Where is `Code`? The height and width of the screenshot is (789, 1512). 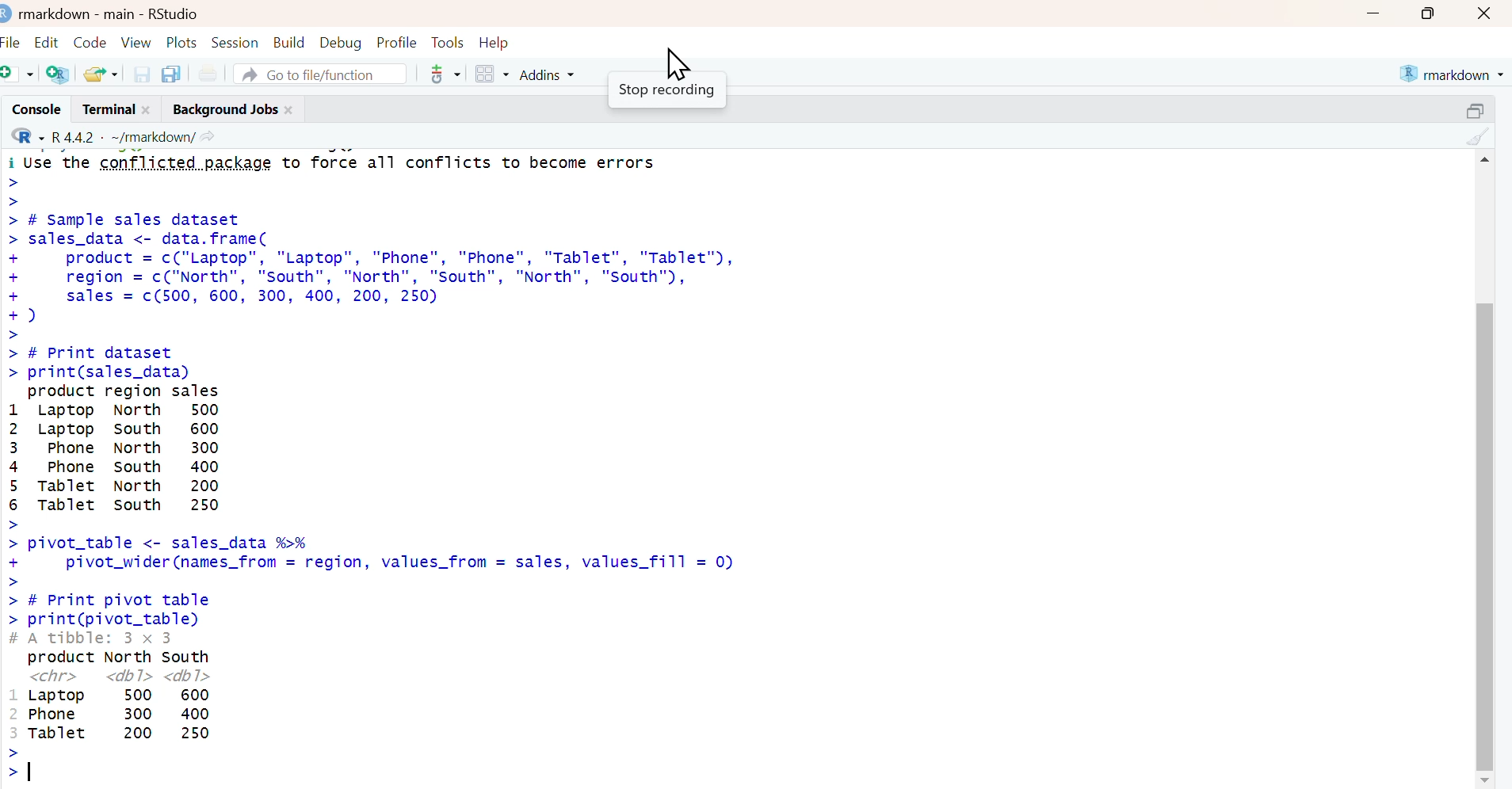 Code is located at coordinates (90, 38).